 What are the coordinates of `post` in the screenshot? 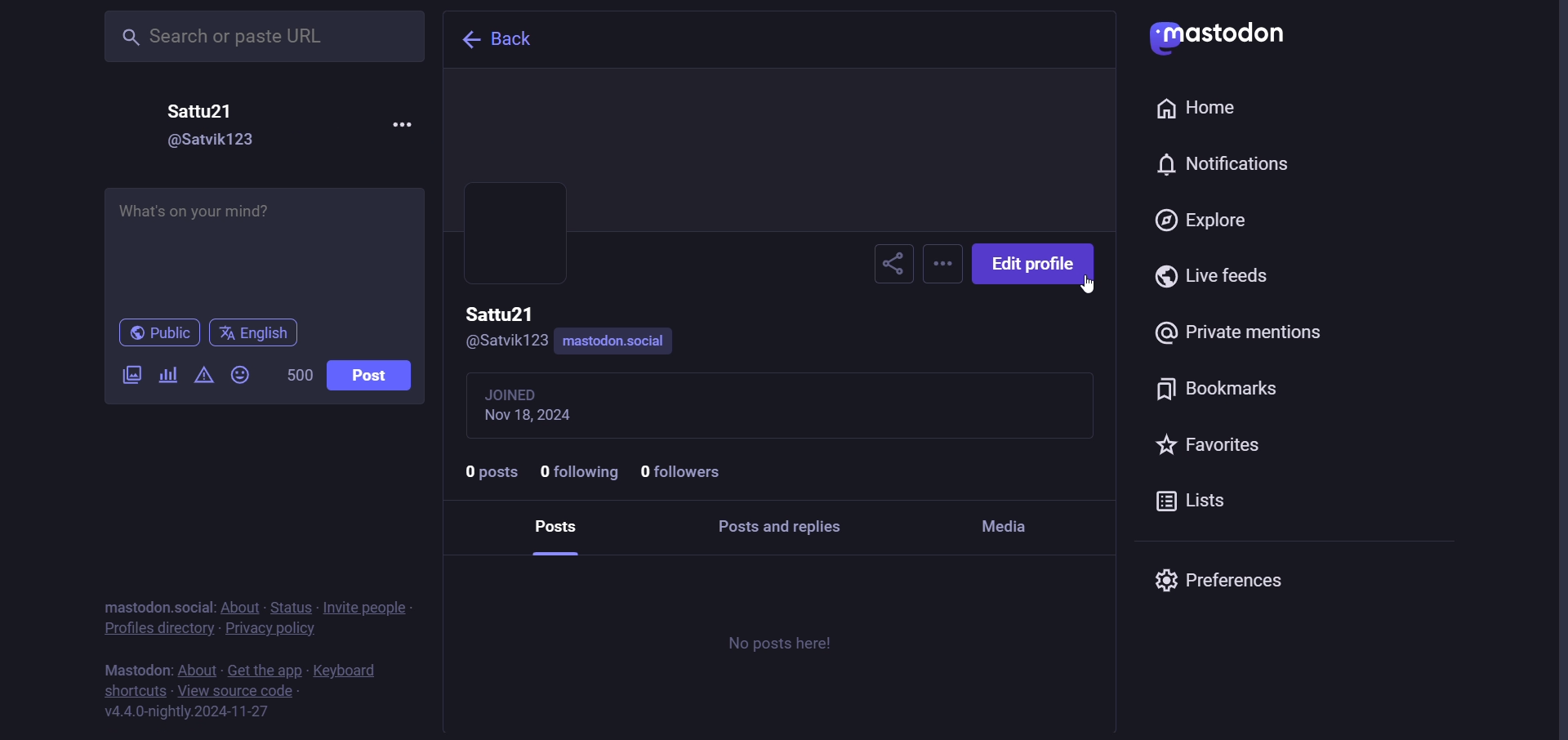 It's located at (371, 376).